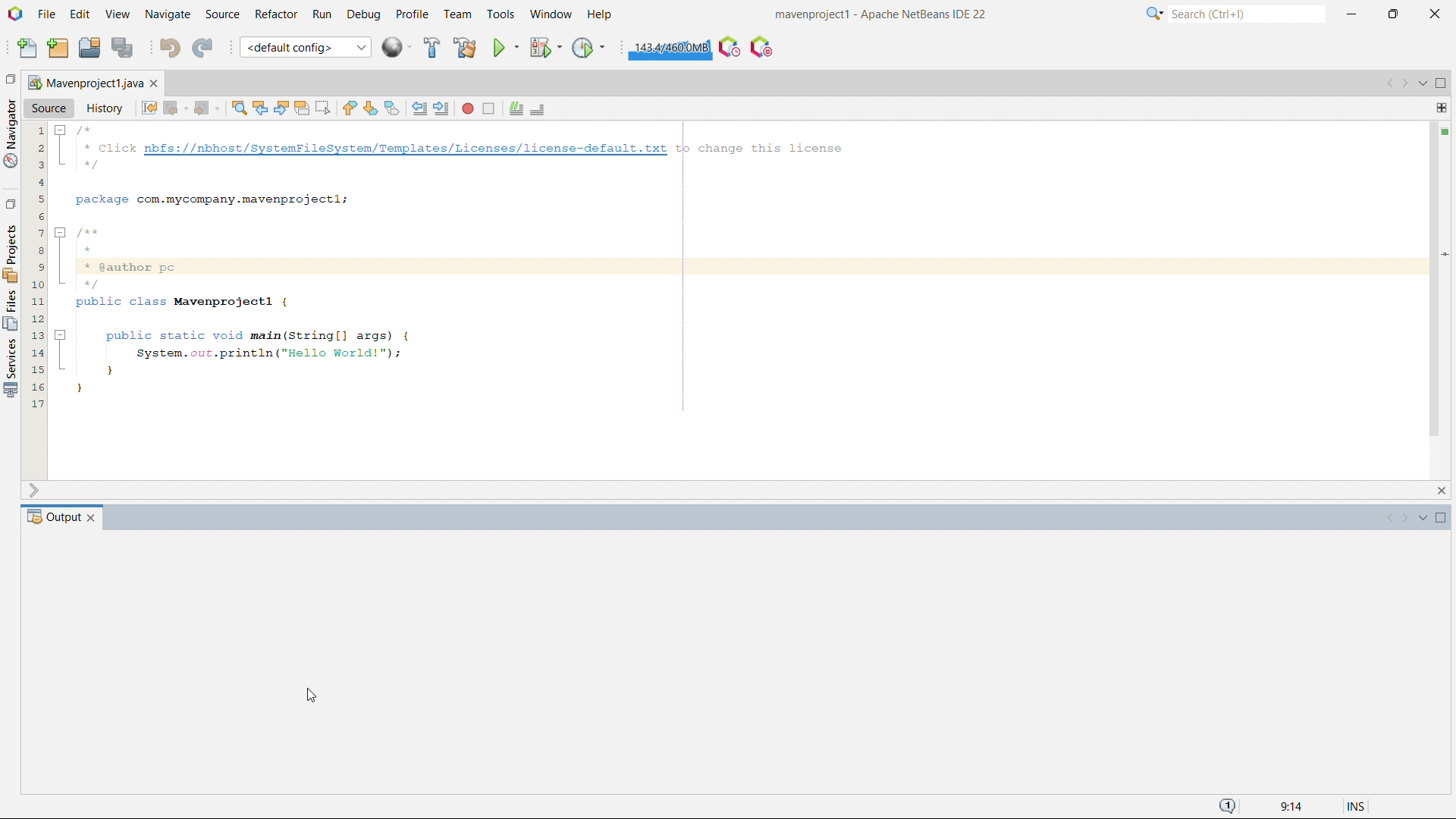  I want to click on h, so click(601, 14).